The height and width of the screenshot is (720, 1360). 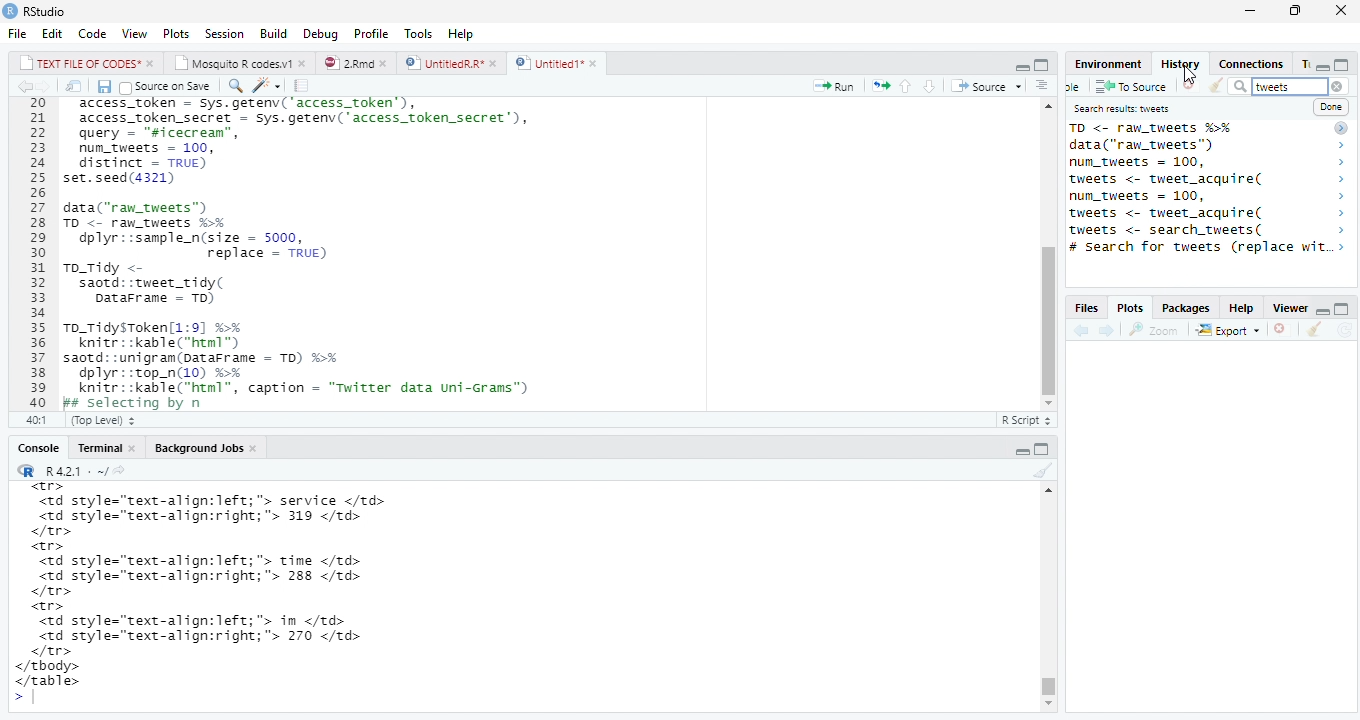 I want to click on ©) Untitied1*, so click(x=563, y=64).